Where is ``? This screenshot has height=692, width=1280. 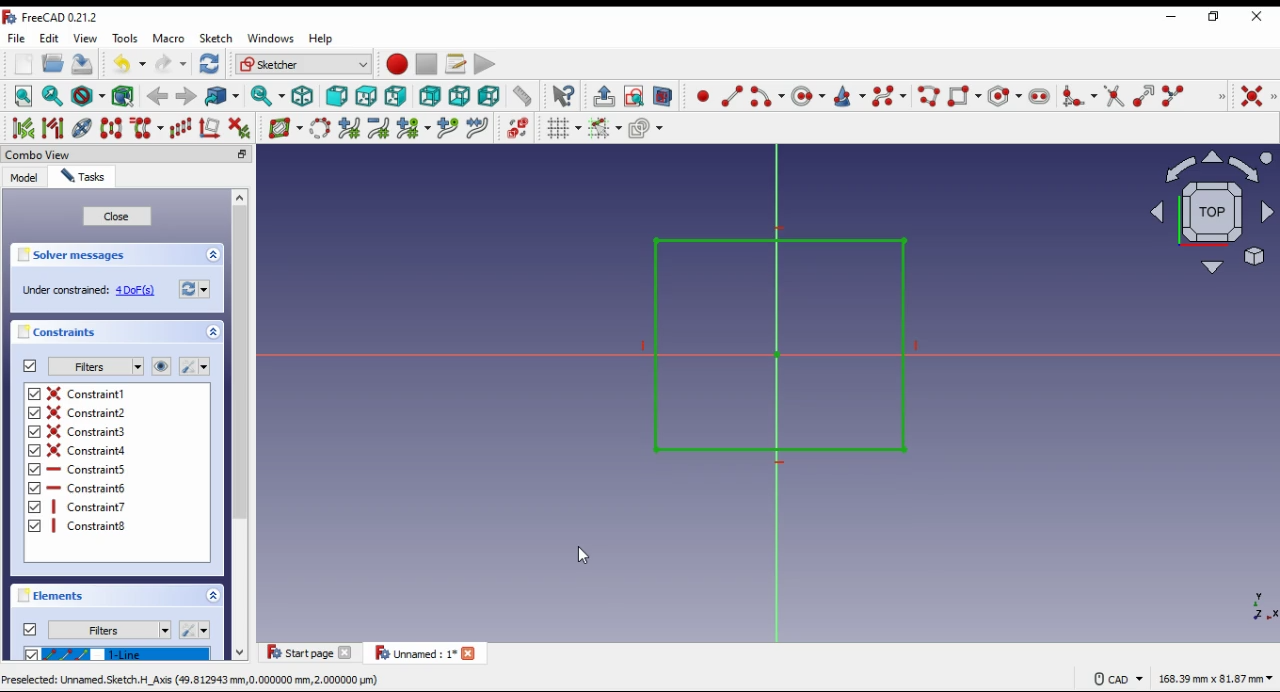
 is located at coordinates (267, 96).